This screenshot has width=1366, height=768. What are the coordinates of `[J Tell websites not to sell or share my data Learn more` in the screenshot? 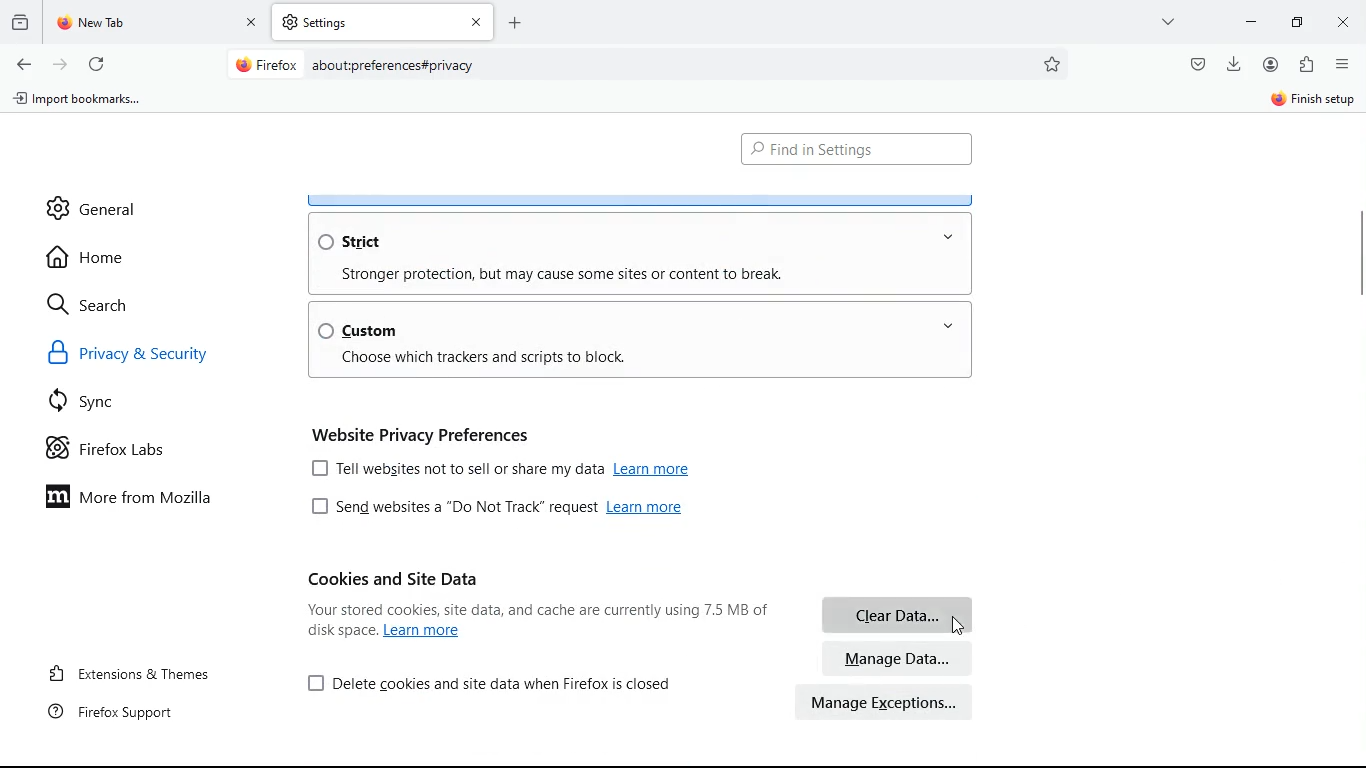 It's located at (506, 467).